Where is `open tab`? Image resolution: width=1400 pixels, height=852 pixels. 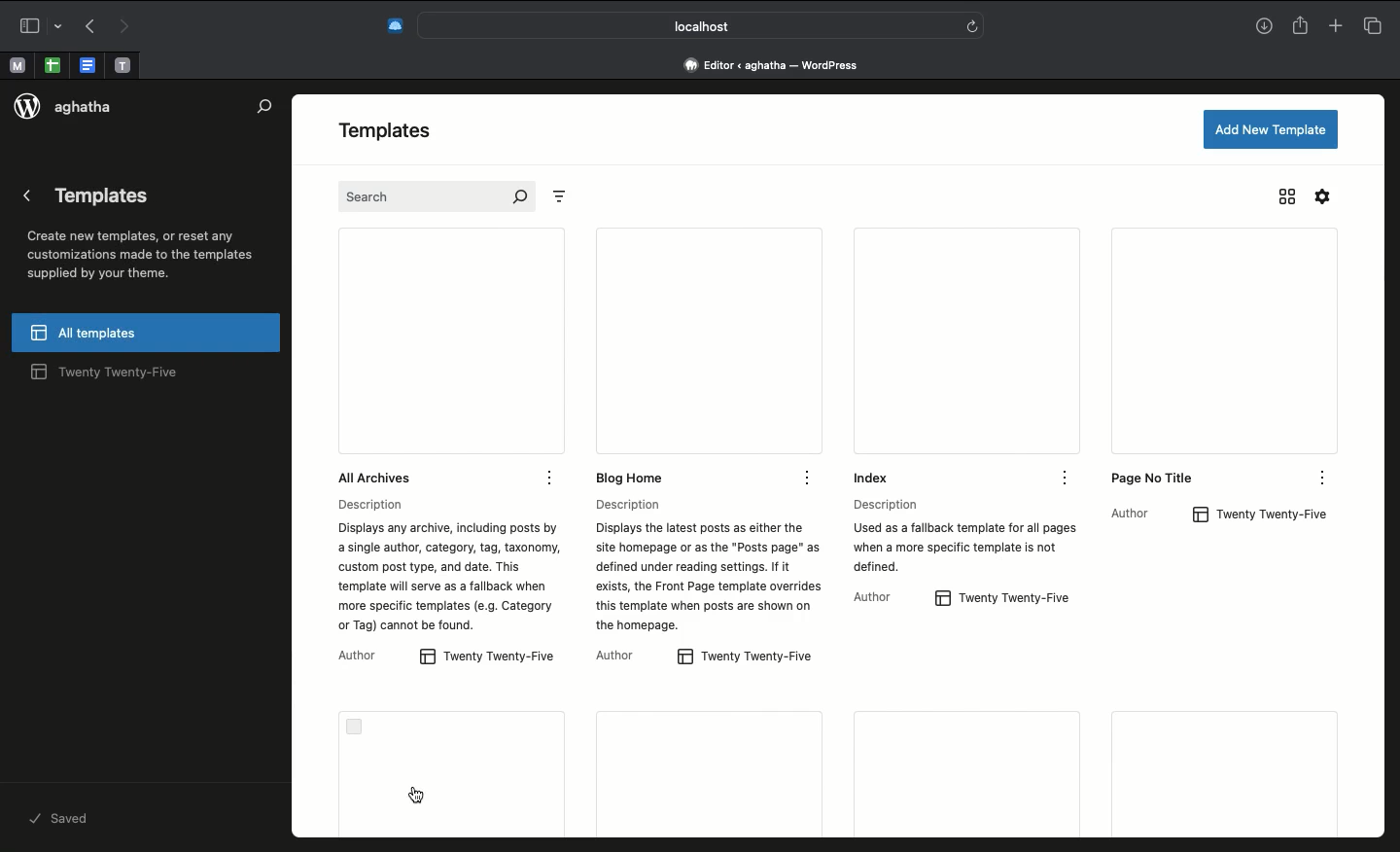 open tab is located at coordinates (122, 66).